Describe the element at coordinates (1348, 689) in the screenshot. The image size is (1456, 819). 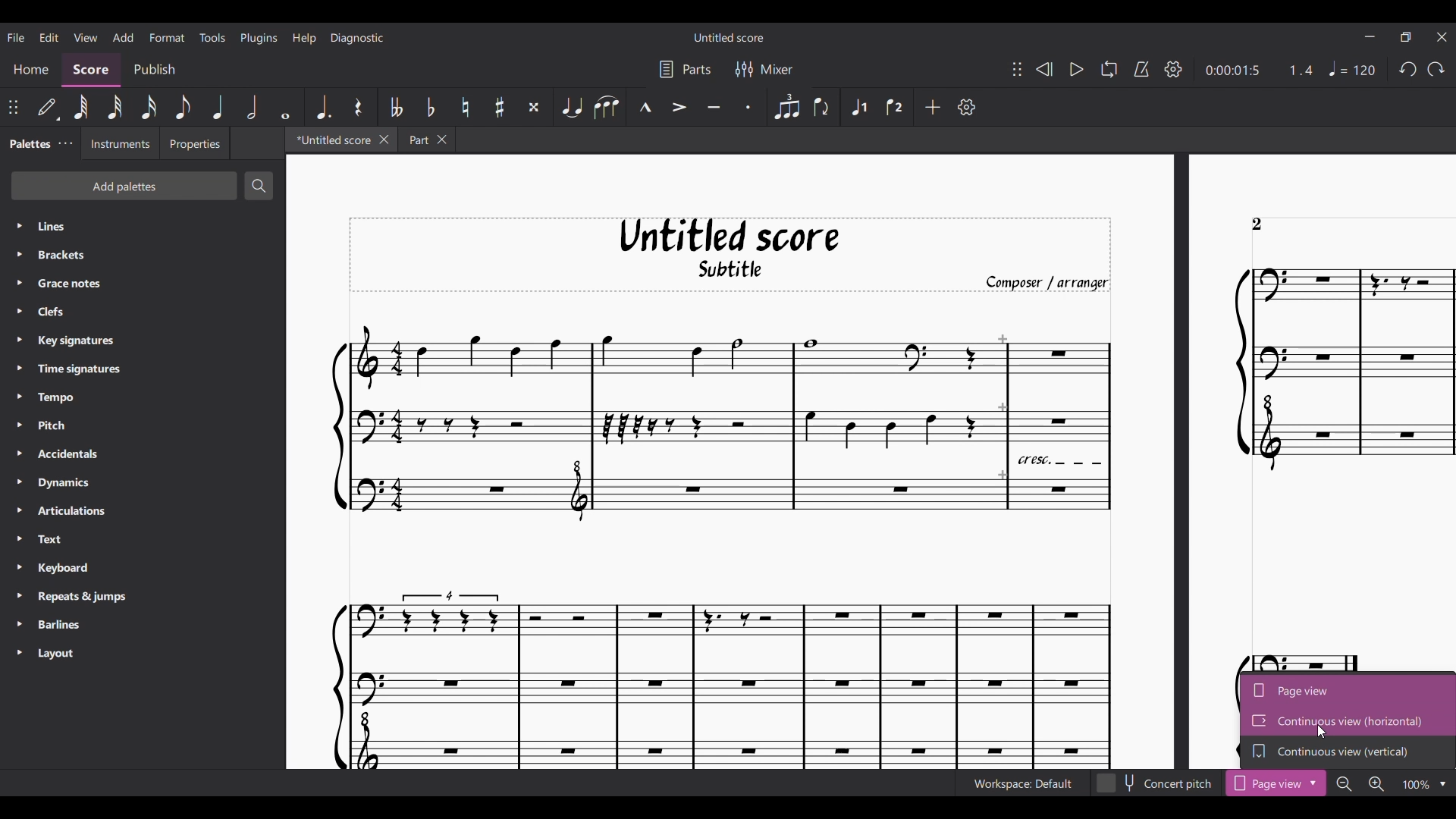
I see `Page view, current view of page highlighted` at that location.